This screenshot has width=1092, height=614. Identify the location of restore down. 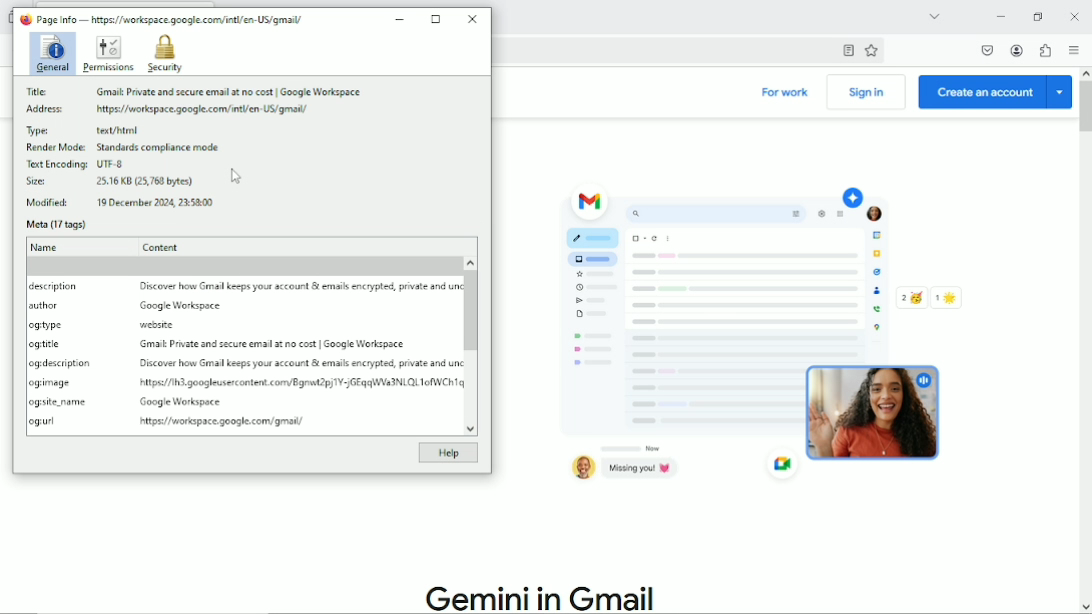
(1038, 14).